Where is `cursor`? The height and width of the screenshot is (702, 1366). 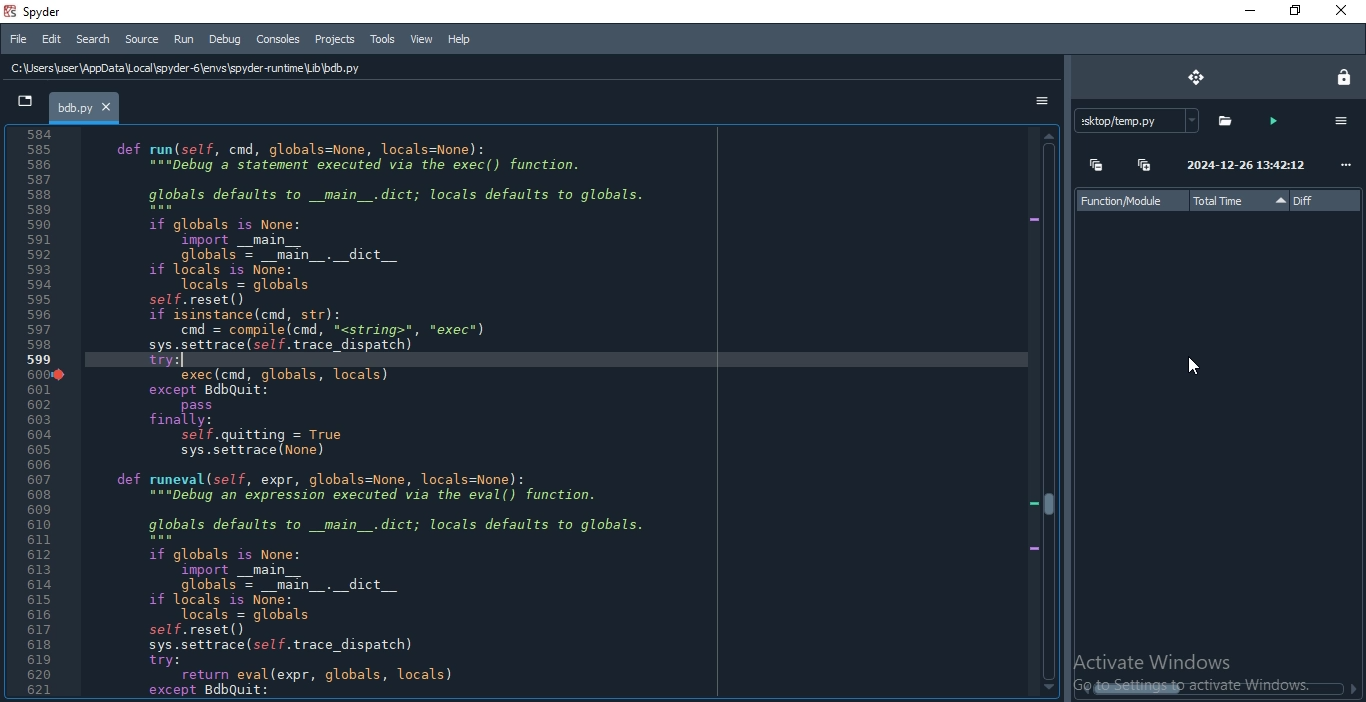
cursor is located at coordinates (1196, 367).